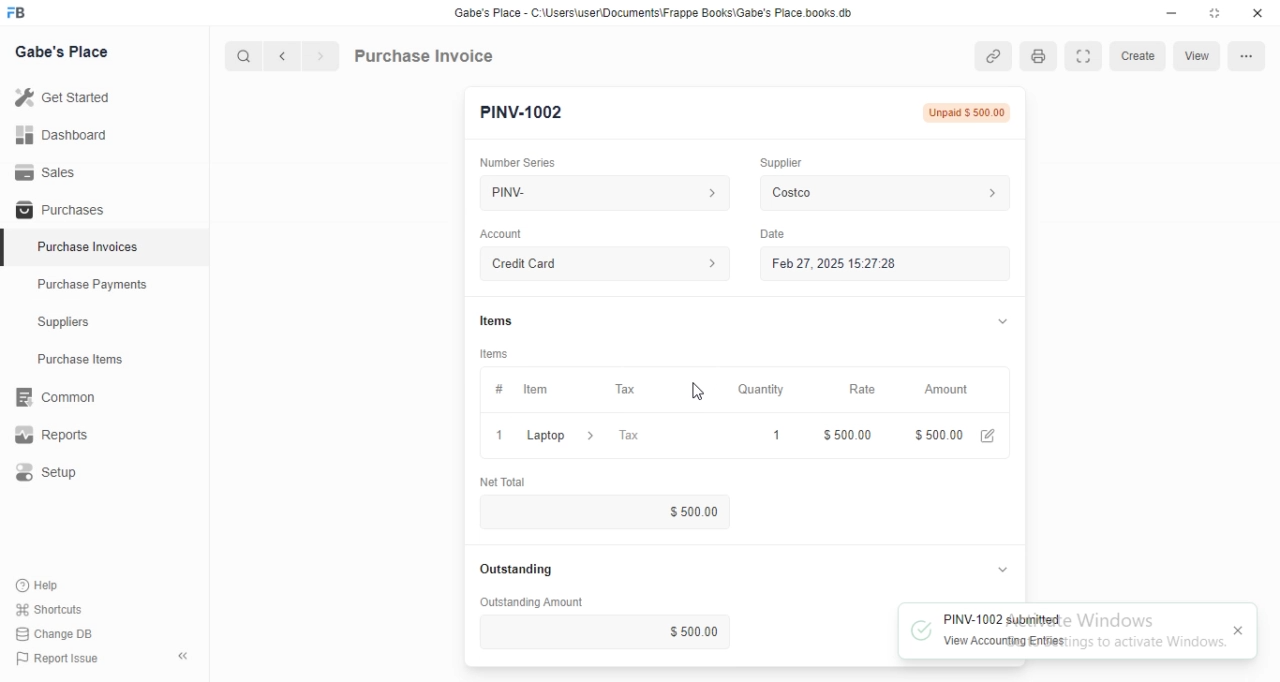  Describe the element at coordinates (841, 435) in the screenshot. I see `$ 500.00` at that location.